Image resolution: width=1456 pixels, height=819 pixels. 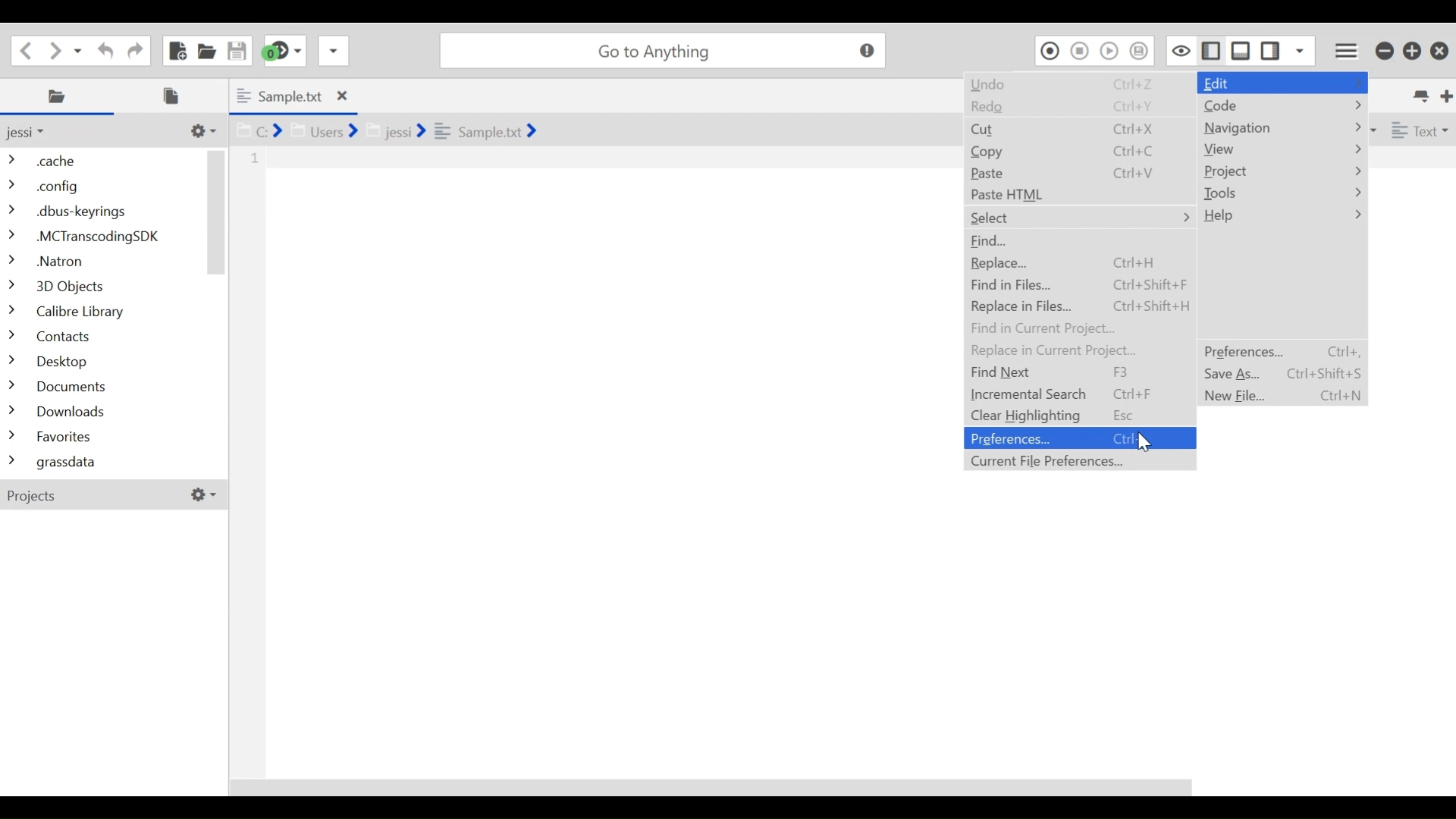 What do you see at coordinates (1078, 372) in the screenshot?
I see `Find Next` at bounding box center [1078, 372].